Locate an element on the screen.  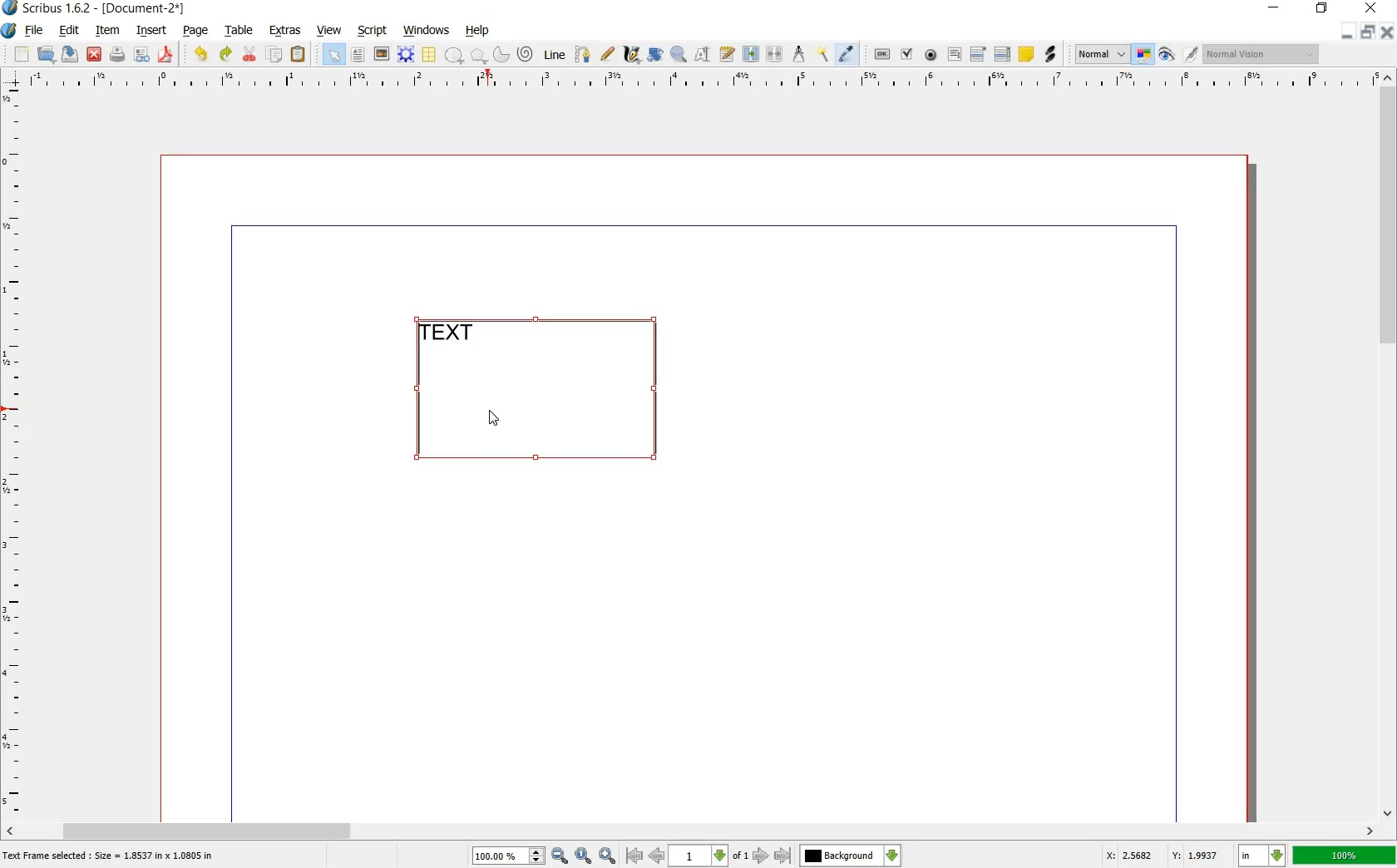
copy item properties is located at coordinates (824, 53).